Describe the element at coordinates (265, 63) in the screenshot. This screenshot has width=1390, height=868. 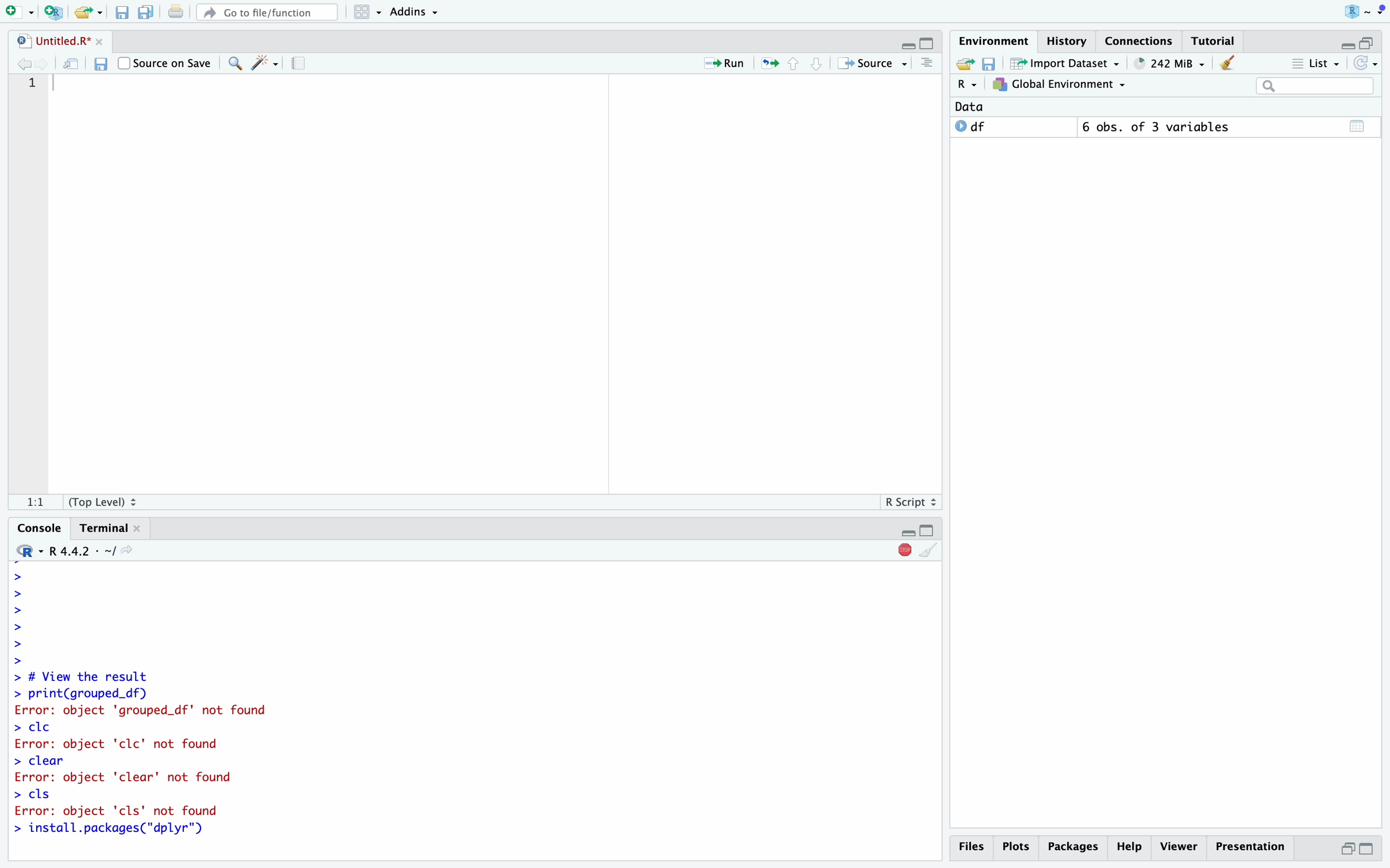
I see `Code Tools` at that location.